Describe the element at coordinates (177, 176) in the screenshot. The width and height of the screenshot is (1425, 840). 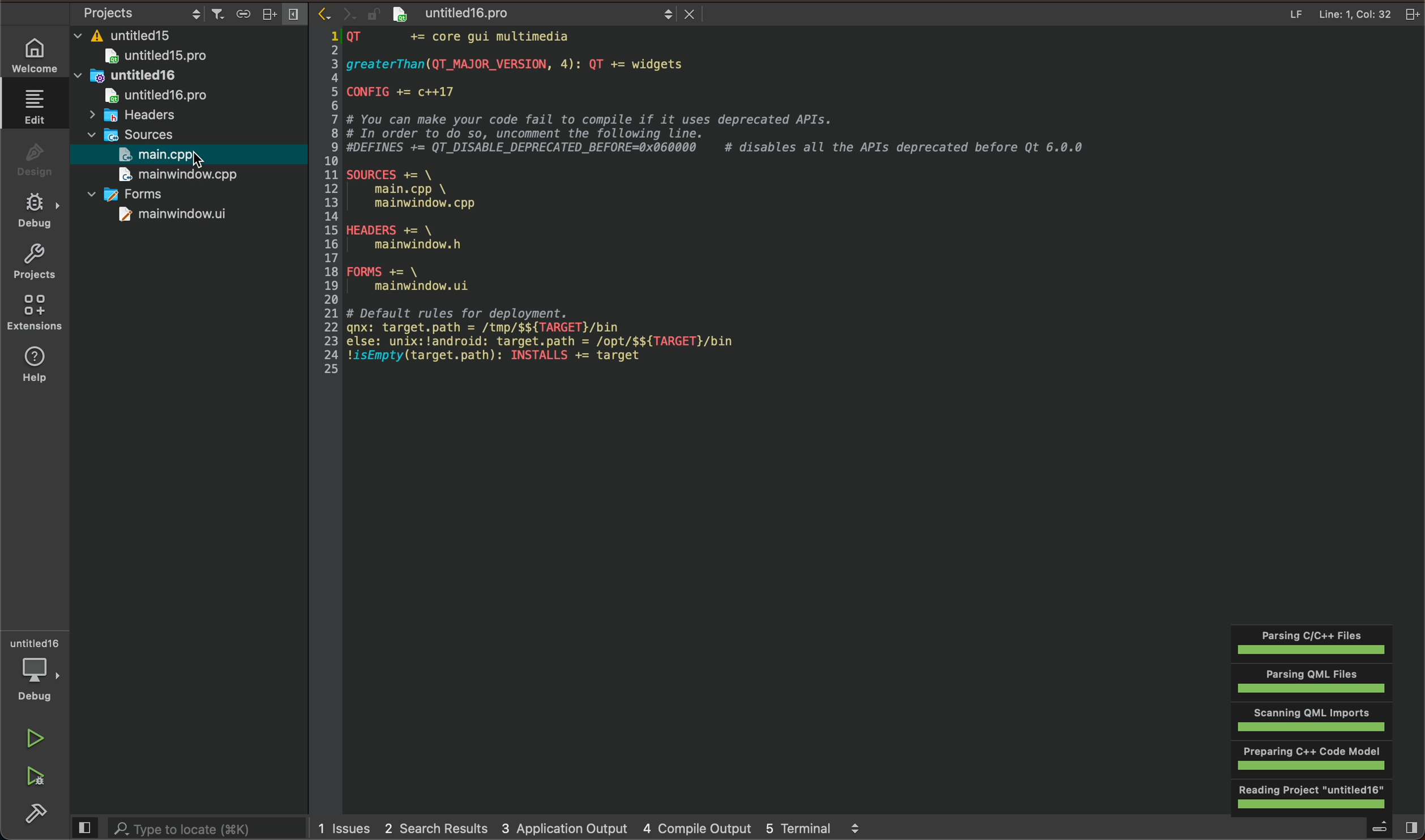
I see `mainwindow.cpp` at that location.